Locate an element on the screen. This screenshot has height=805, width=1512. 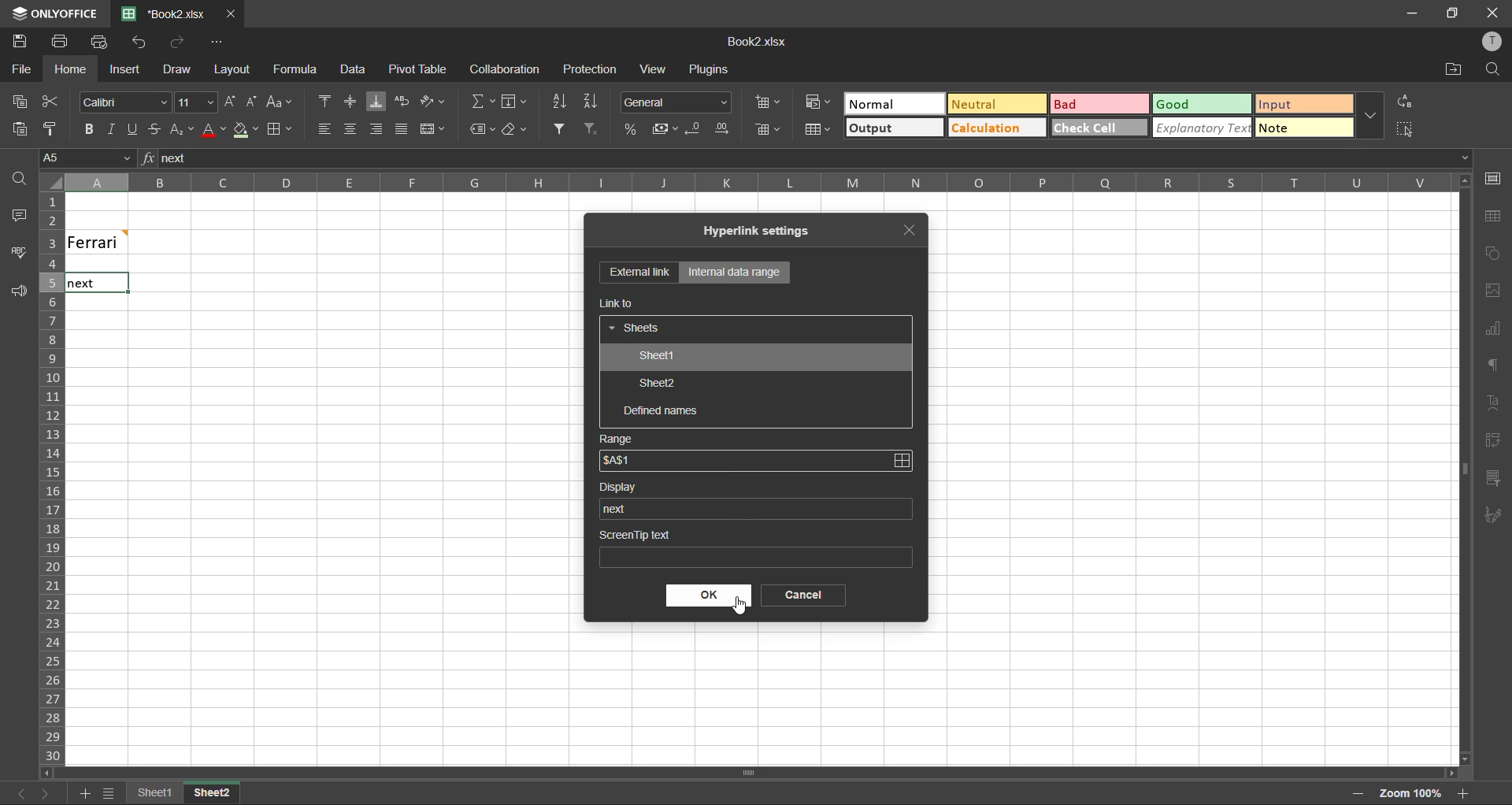
align  right is located at coordinates (377, 129).